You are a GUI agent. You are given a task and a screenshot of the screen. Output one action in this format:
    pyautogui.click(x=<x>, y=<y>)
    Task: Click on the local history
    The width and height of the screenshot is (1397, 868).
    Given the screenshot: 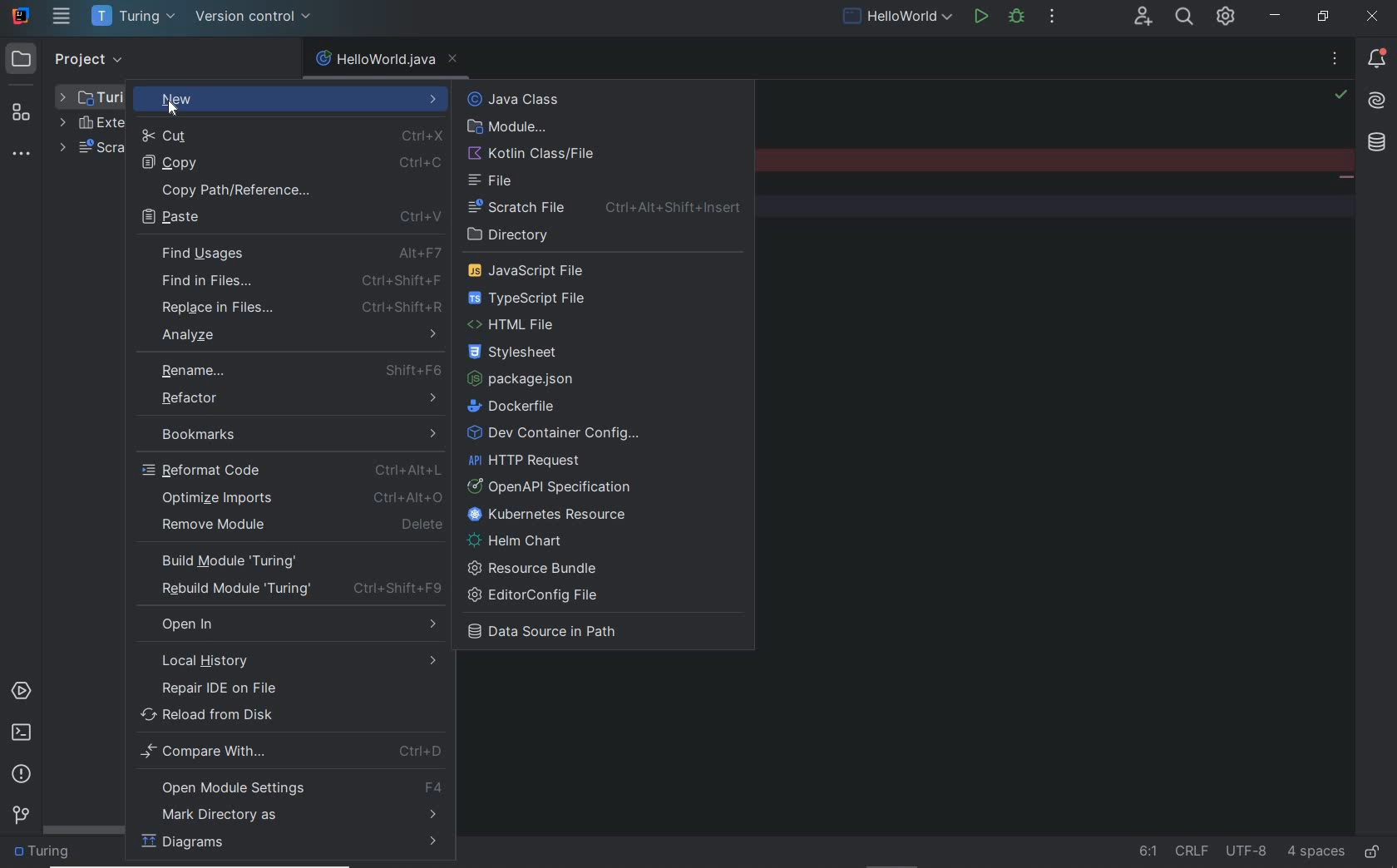 What is the action you would take?
    pyautogui.click(x=286, y=661)
    